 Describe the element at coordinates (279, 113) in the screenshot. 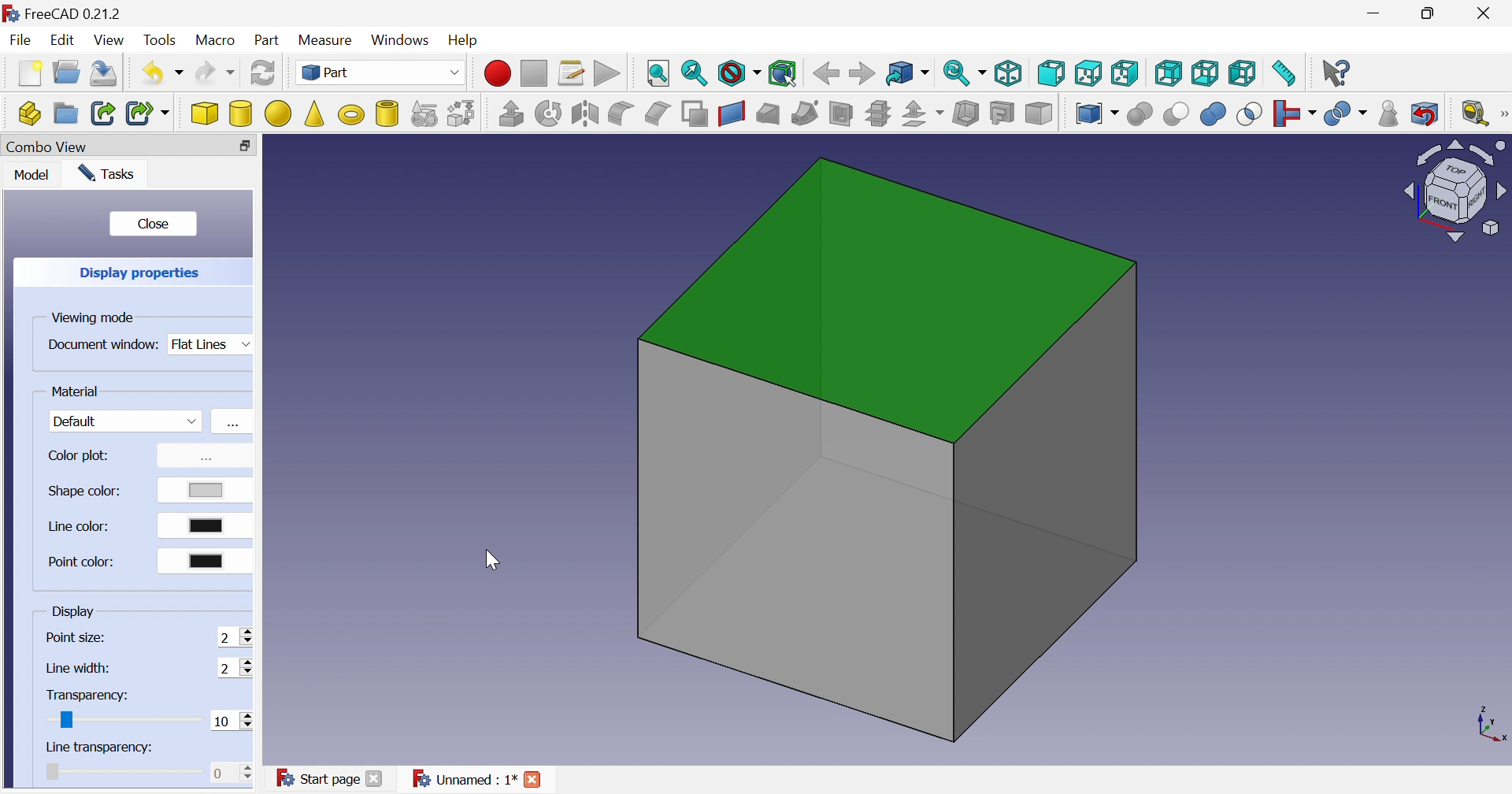

I see `Sphere` at that location.